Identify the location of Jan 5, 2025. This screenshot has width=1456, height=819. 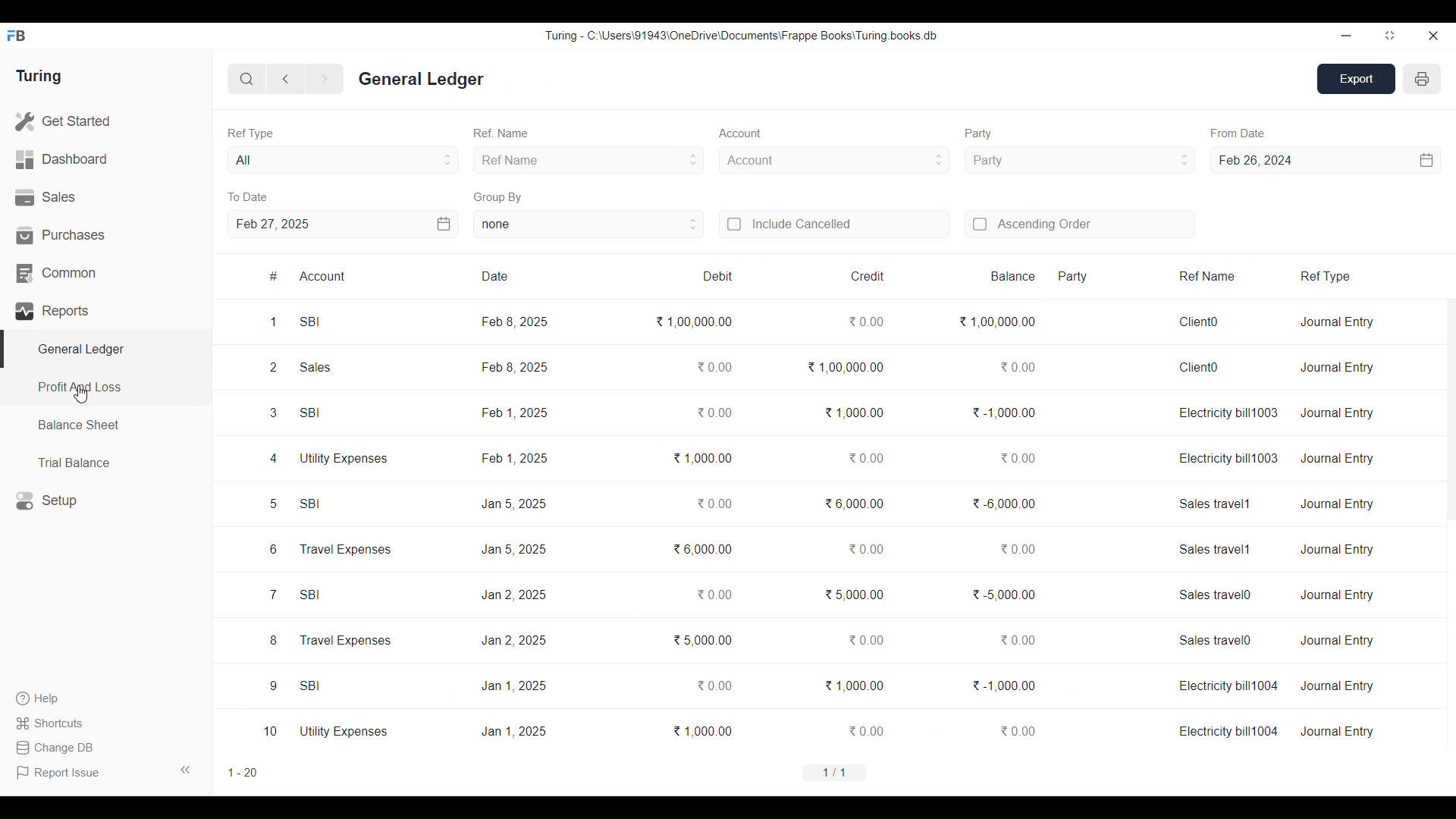
(513, 504).